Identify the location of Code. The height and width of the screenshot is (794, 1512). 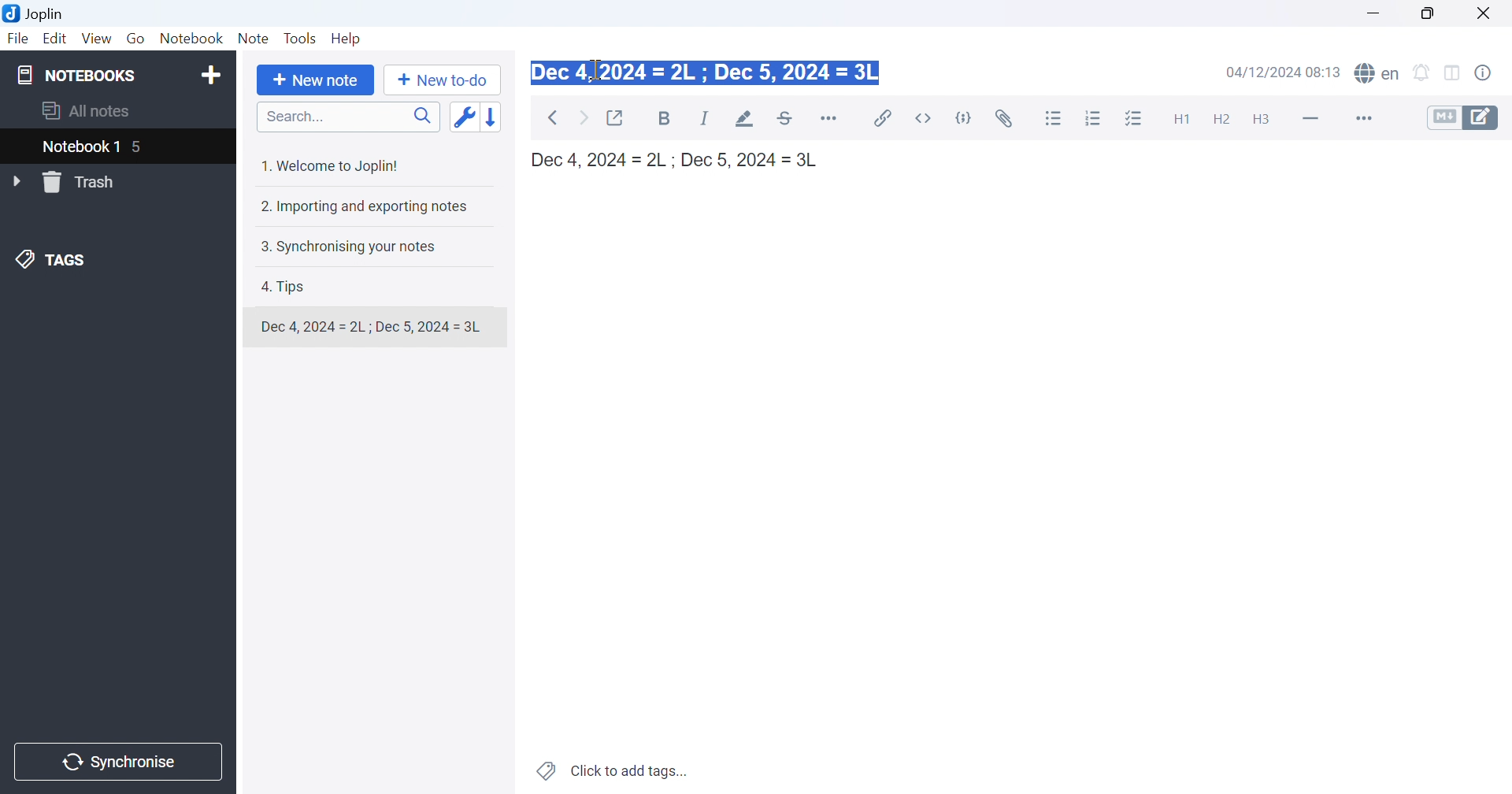
(965, 118).